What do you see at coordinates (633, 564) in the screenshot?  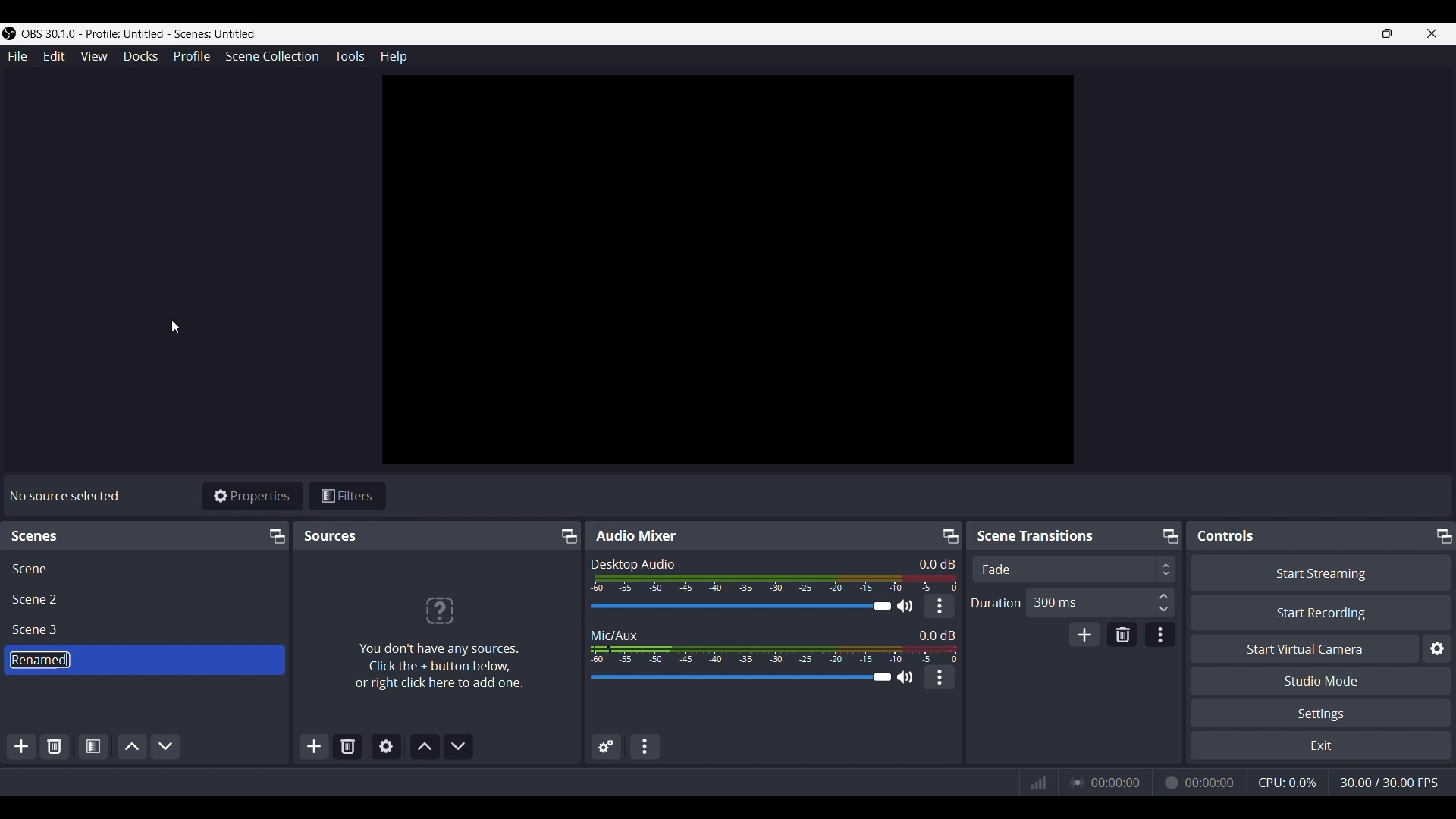 I see `Desktop Audio` at bounding box center [633, 564].